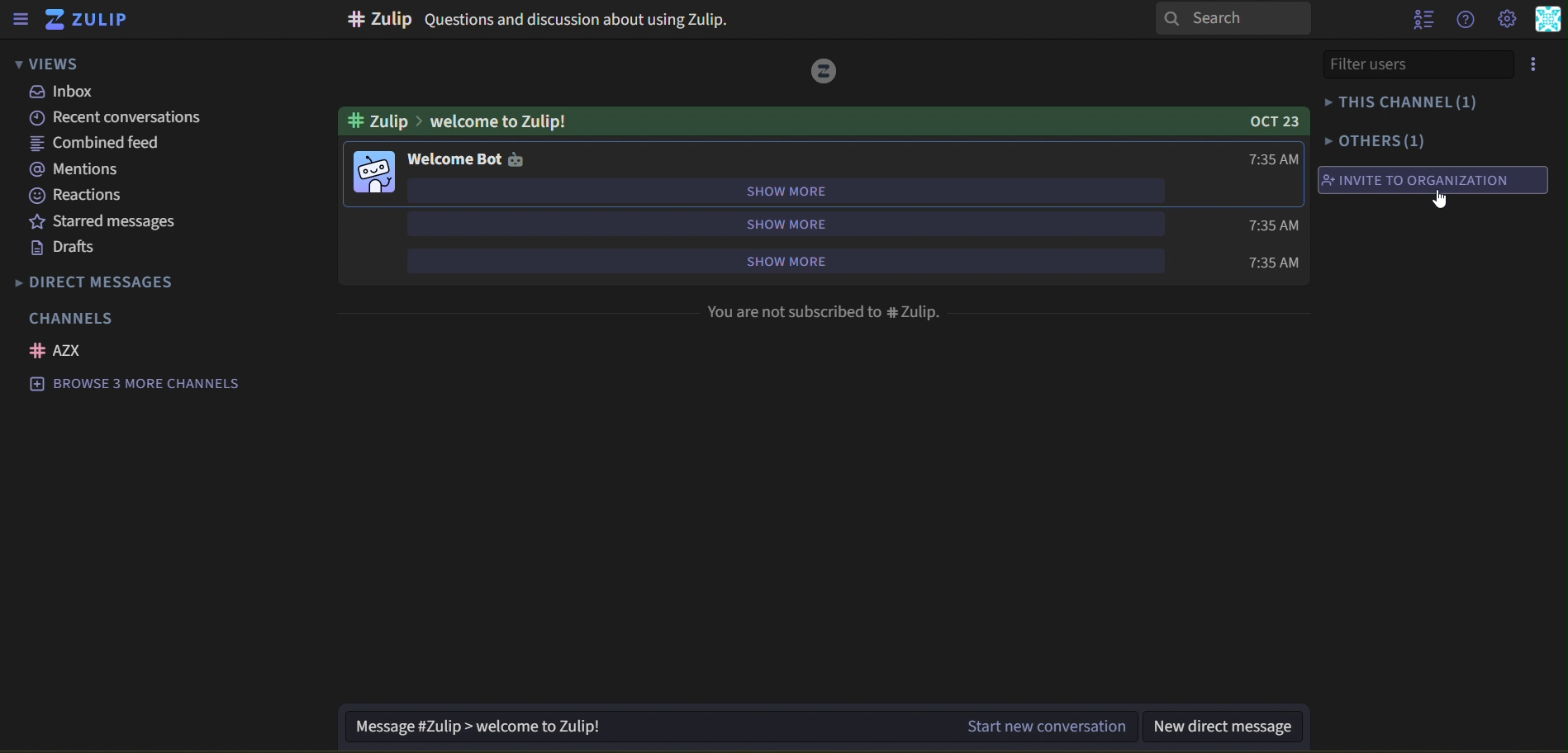 This screenshot has height=753, width=1568. Describe the element at coordinates (1271, 122) in the screenshot. I see `OCT 23` at that location.